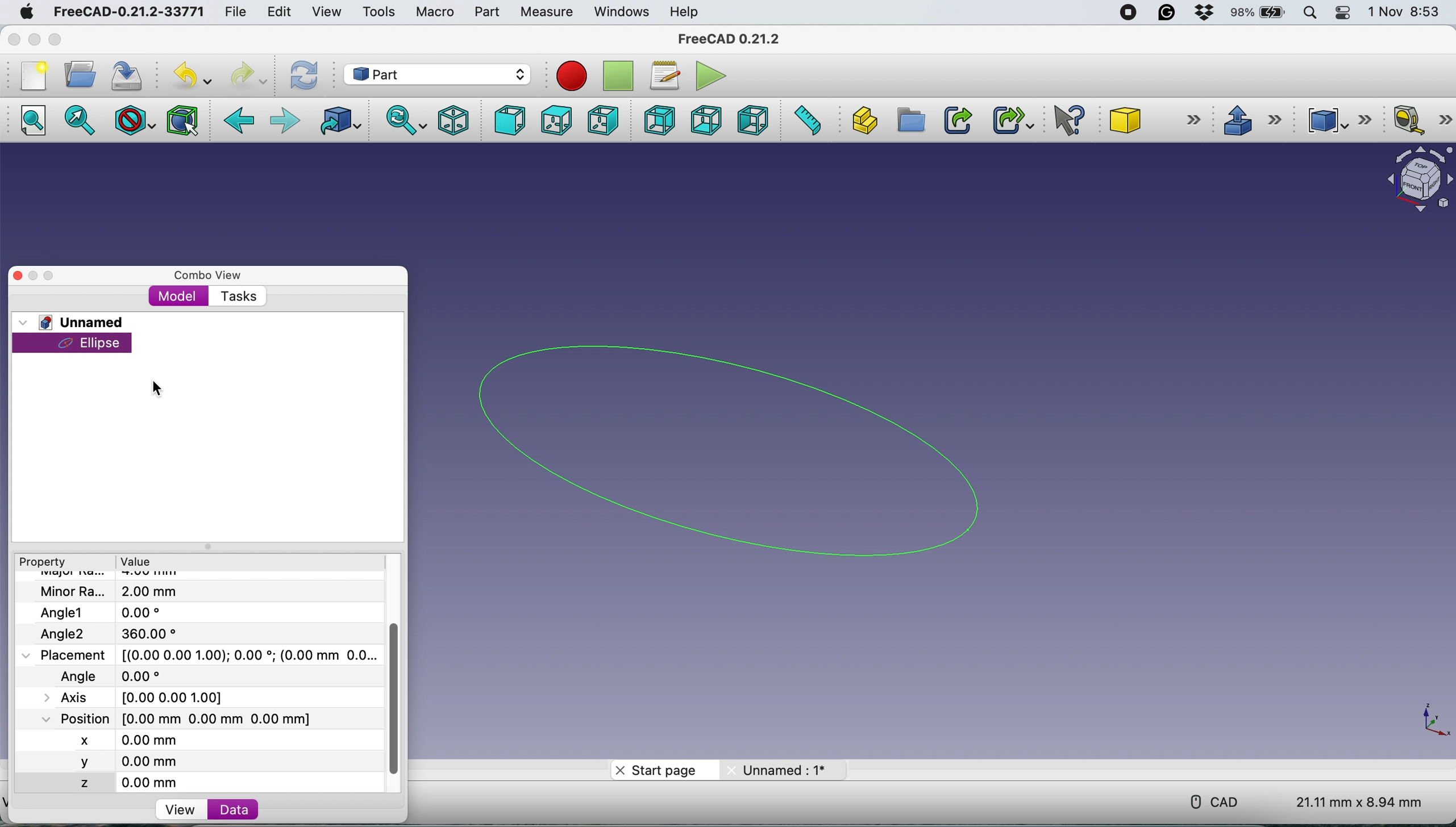  What do you see at coordinates (1130, 12) in the screenshot?
I see `screen recorder` at bounding box center [1130, 12].